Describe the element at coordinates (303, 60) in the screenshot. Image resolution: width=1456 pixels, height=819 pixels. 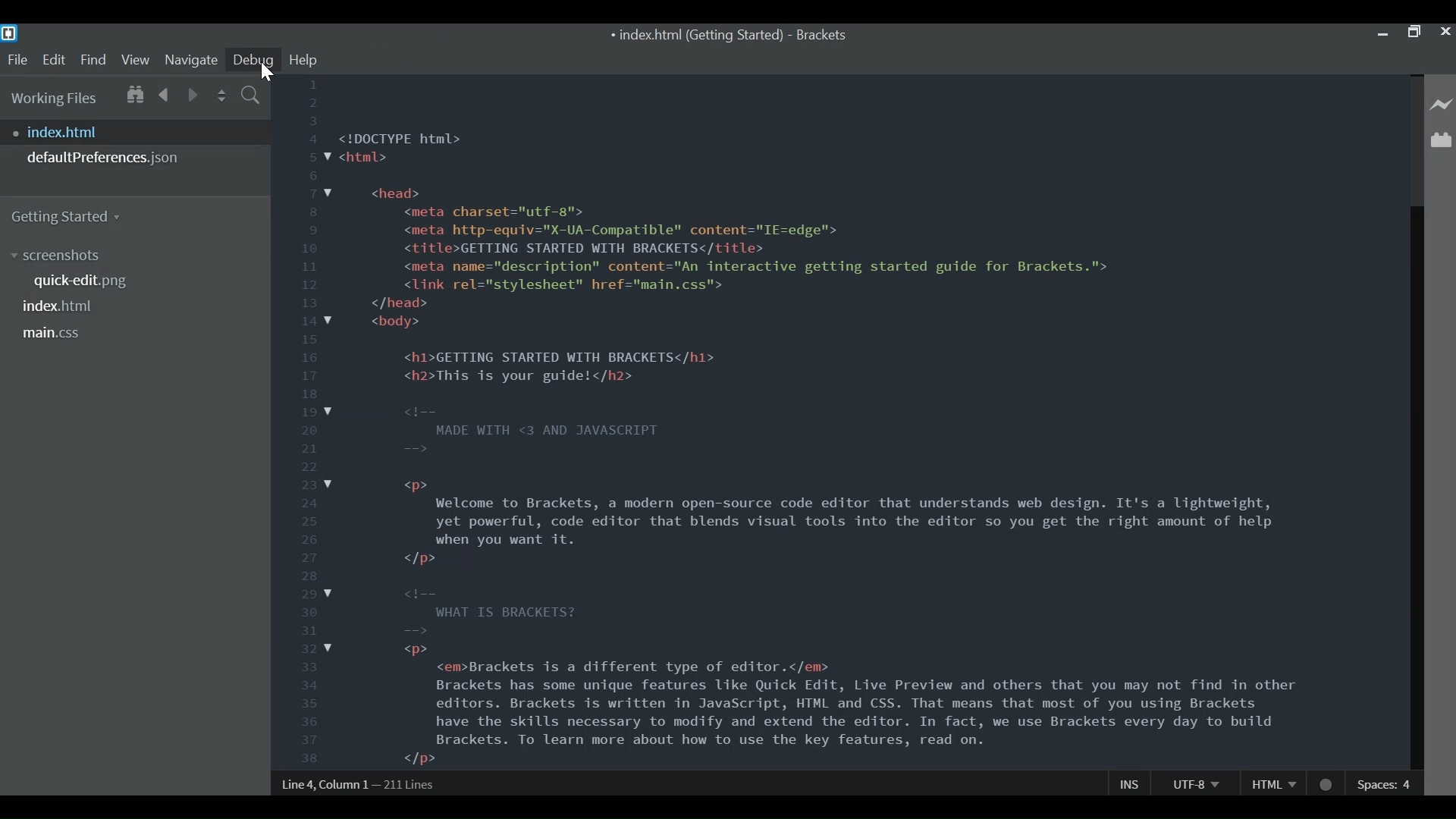
I see `Help` at that location.